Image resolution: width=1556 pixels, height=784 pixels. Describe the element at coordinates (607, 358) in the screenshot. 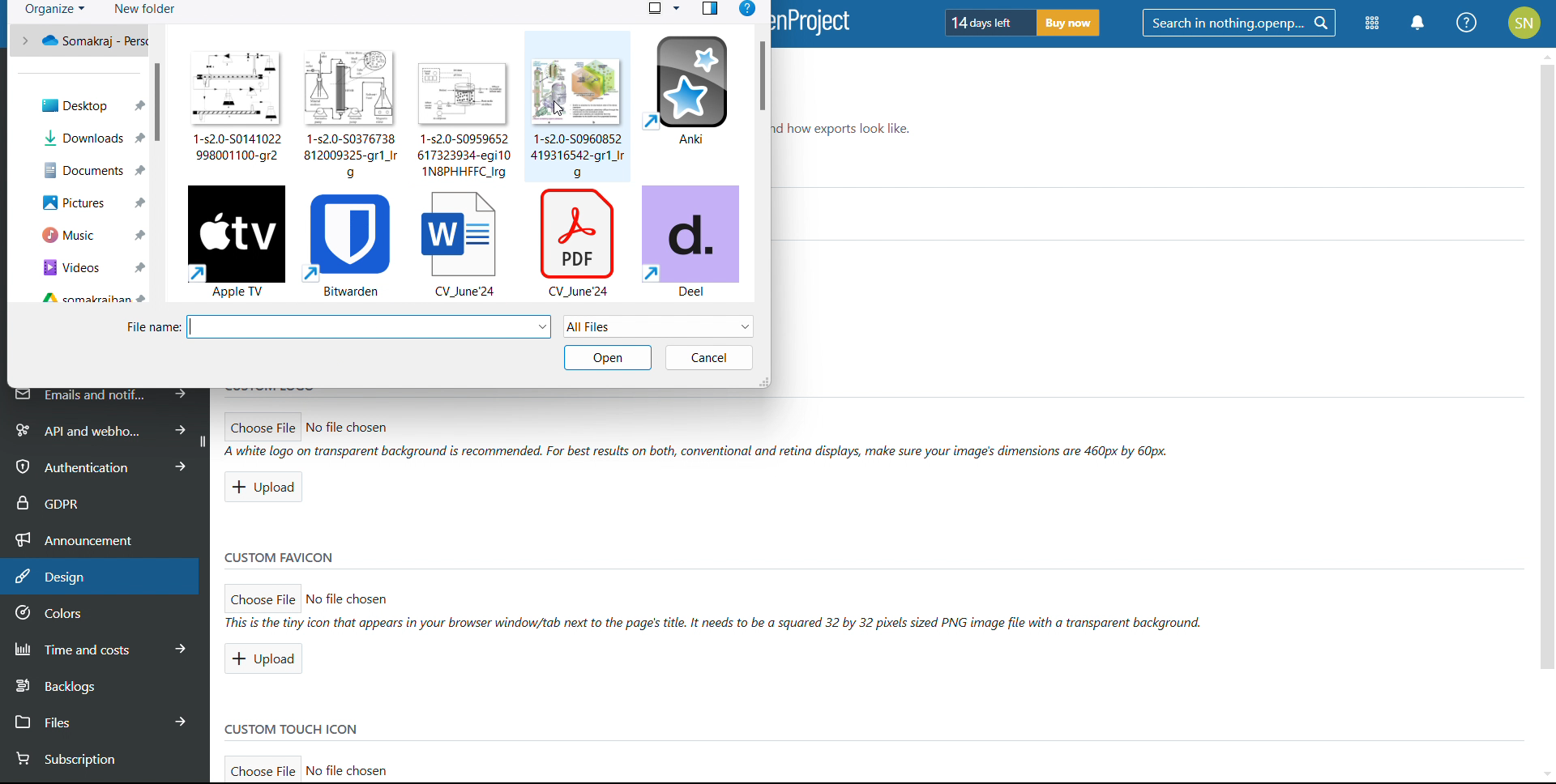

I see `open` at that location.